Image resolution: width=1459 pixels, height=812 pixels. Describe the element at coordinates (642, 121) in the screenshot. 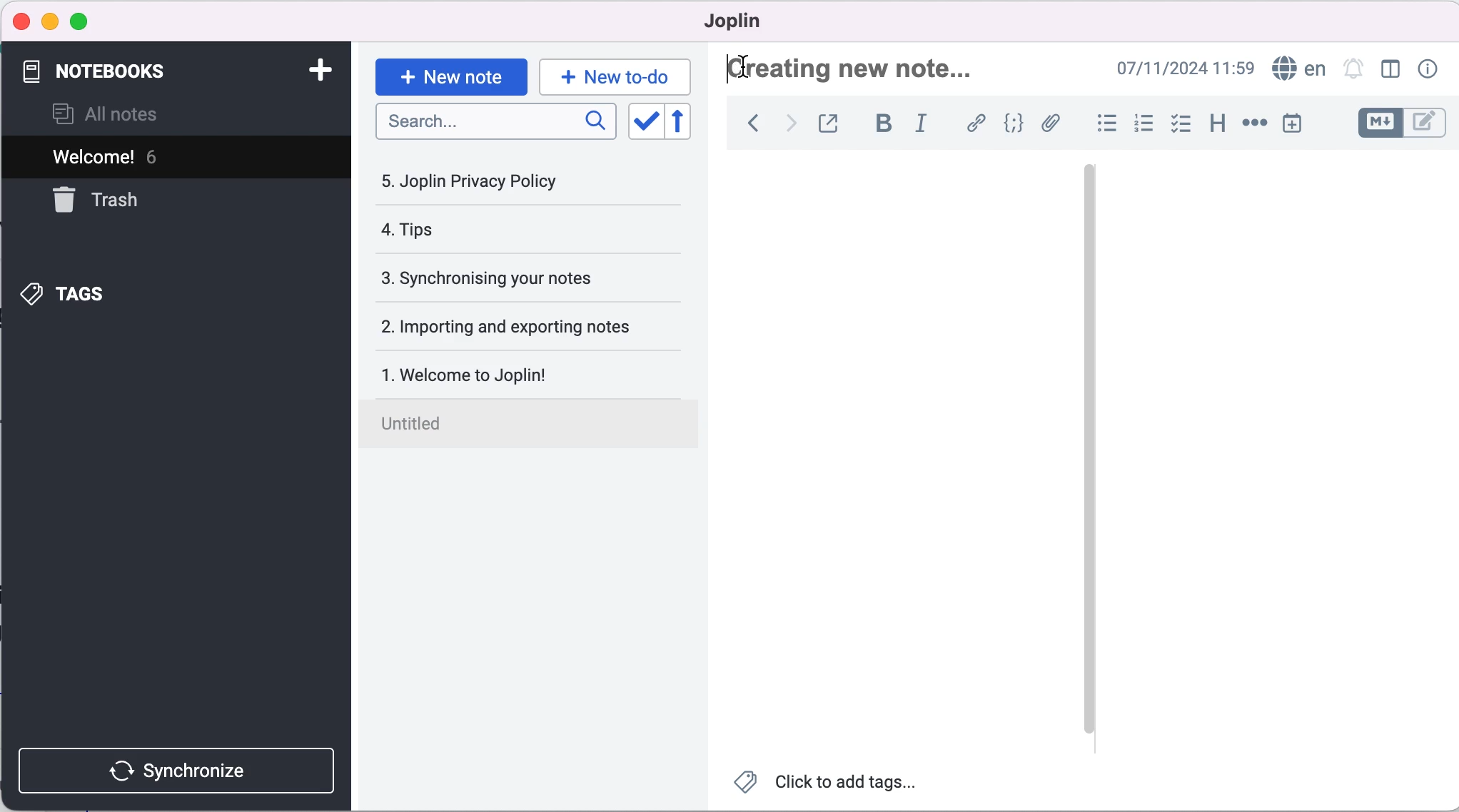

I see `toggle sort order field` at that location.